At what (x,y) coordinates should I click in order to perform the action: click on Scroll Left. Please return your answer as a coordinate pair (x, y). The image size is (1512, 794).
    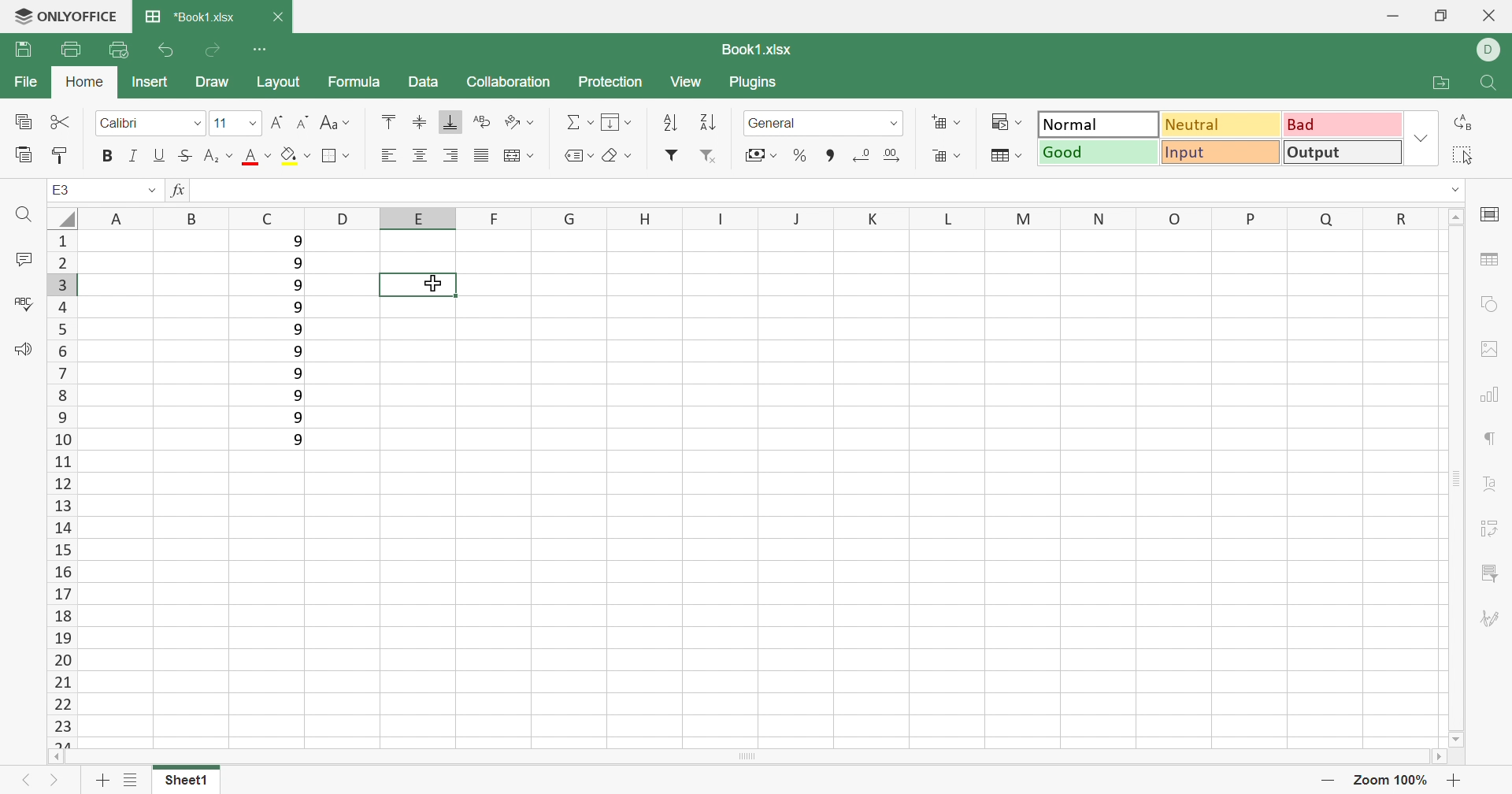
    Looking at the image, I should click on (61, 758).